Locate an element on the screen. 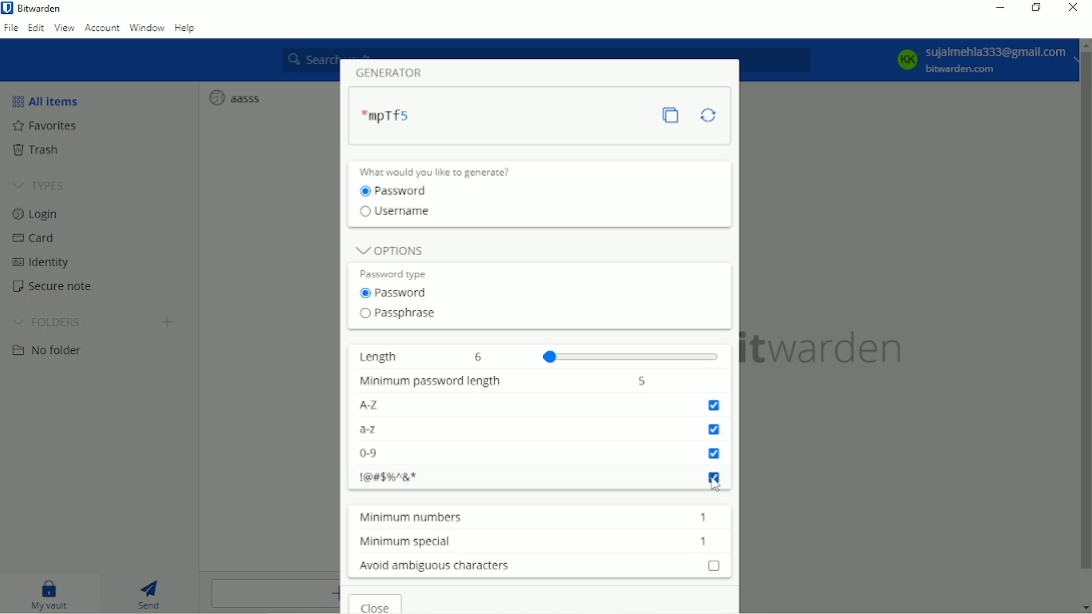  View is located at coordinates (65, 28).